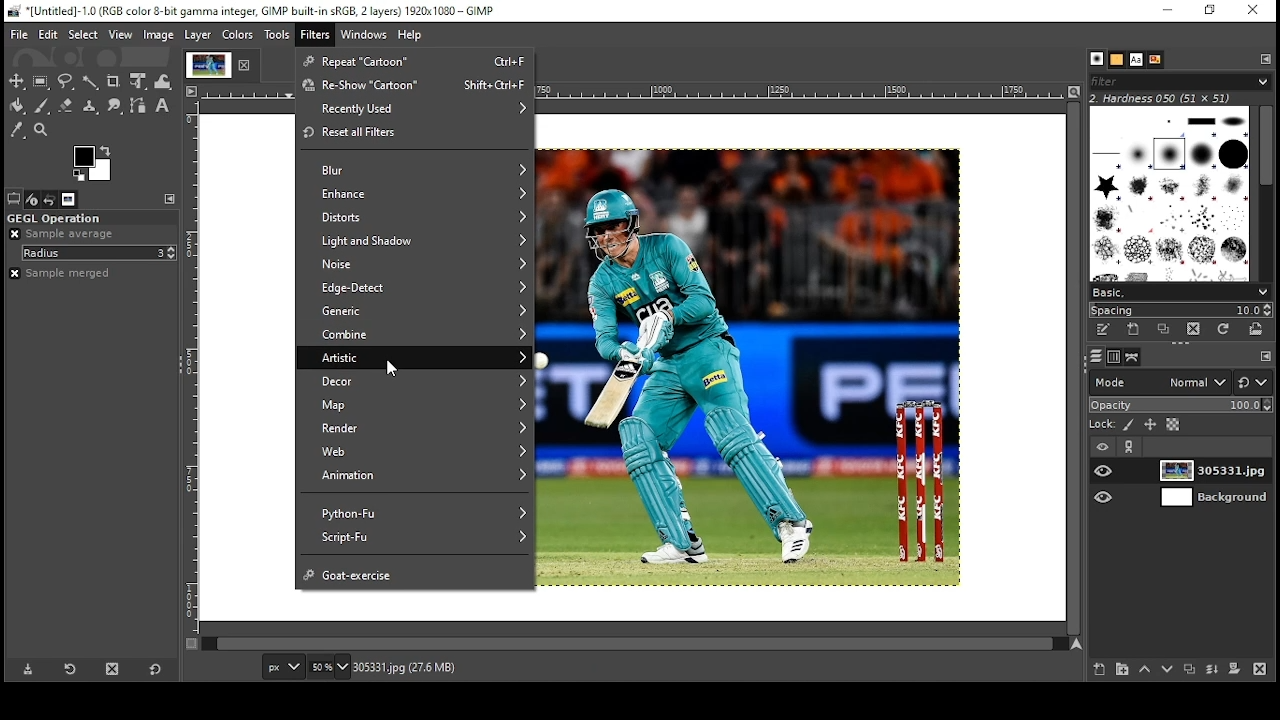  What do you see at coordinates (1180, 309) in the screenshot?
I see `spacing` at bounding box center [1180, 309].